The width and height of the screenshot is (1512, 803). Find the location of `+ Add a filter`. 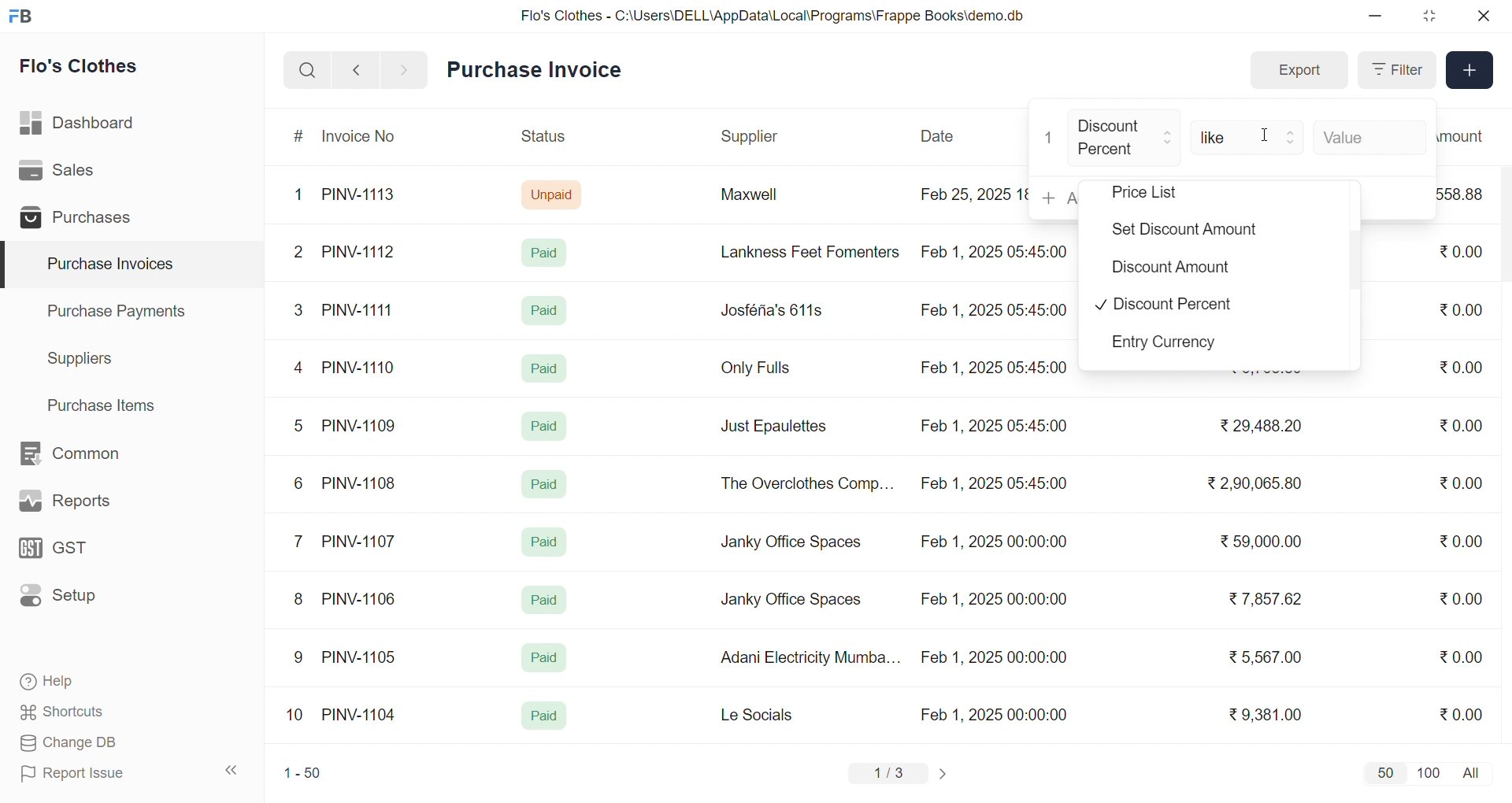

+ Add a filter is located at coordinates (1053, 198).